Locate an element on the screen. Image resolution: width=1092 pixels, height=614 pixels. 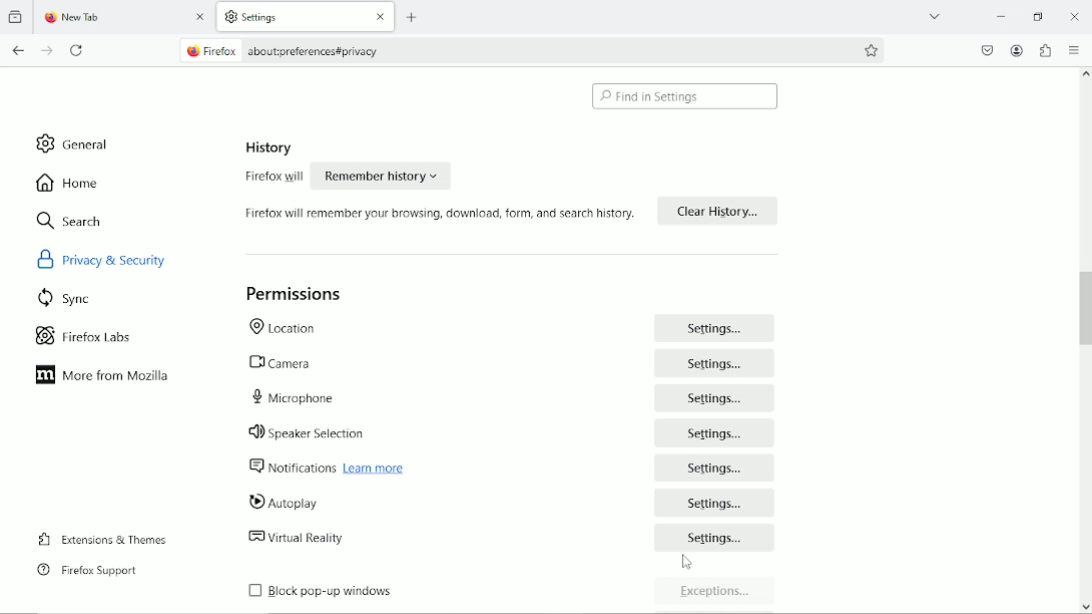
firefox labs is located at coordinates (84, 334).